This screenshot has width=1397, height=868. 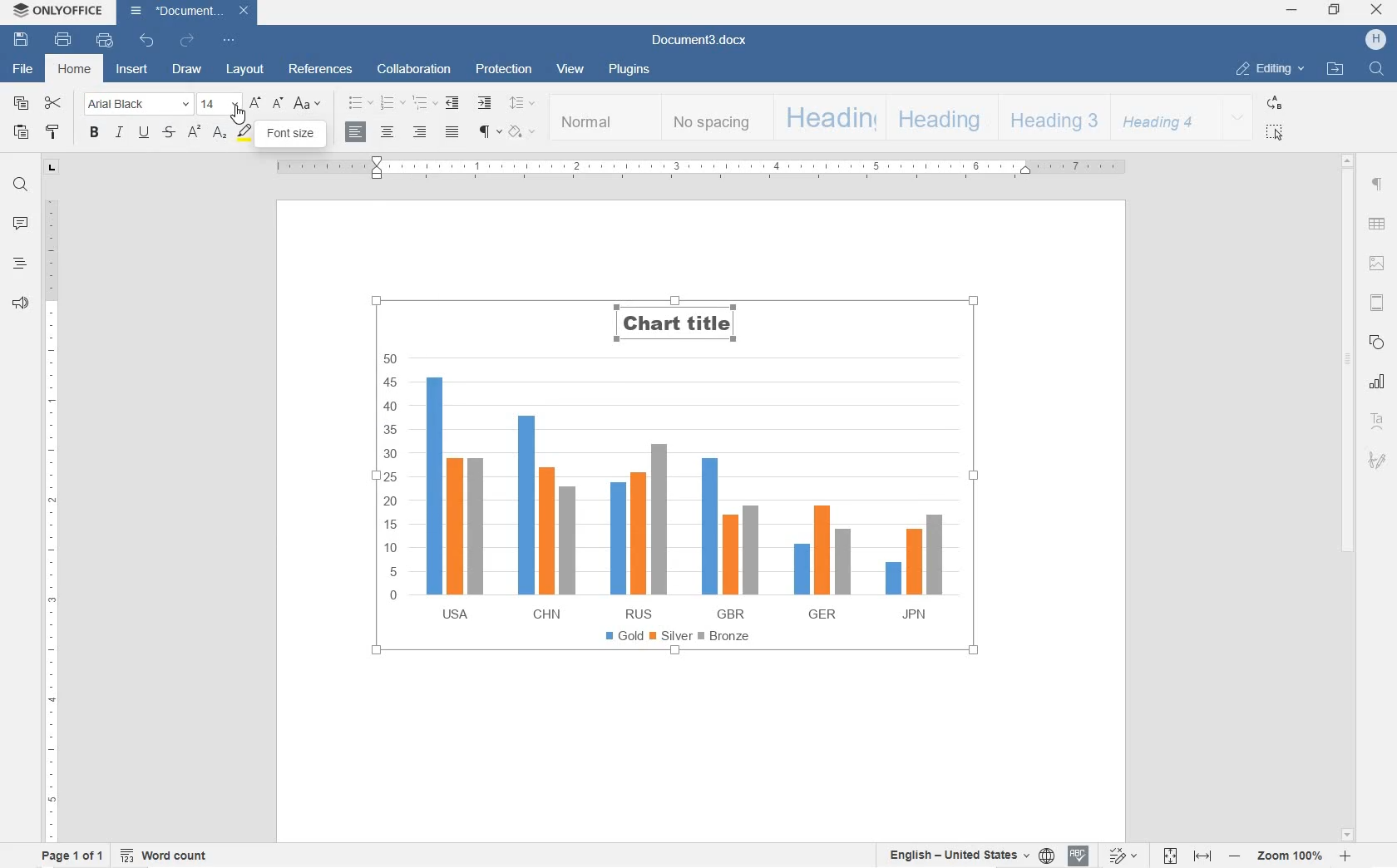 I want to click on HEADING 3, so click(x=1051, y=118).